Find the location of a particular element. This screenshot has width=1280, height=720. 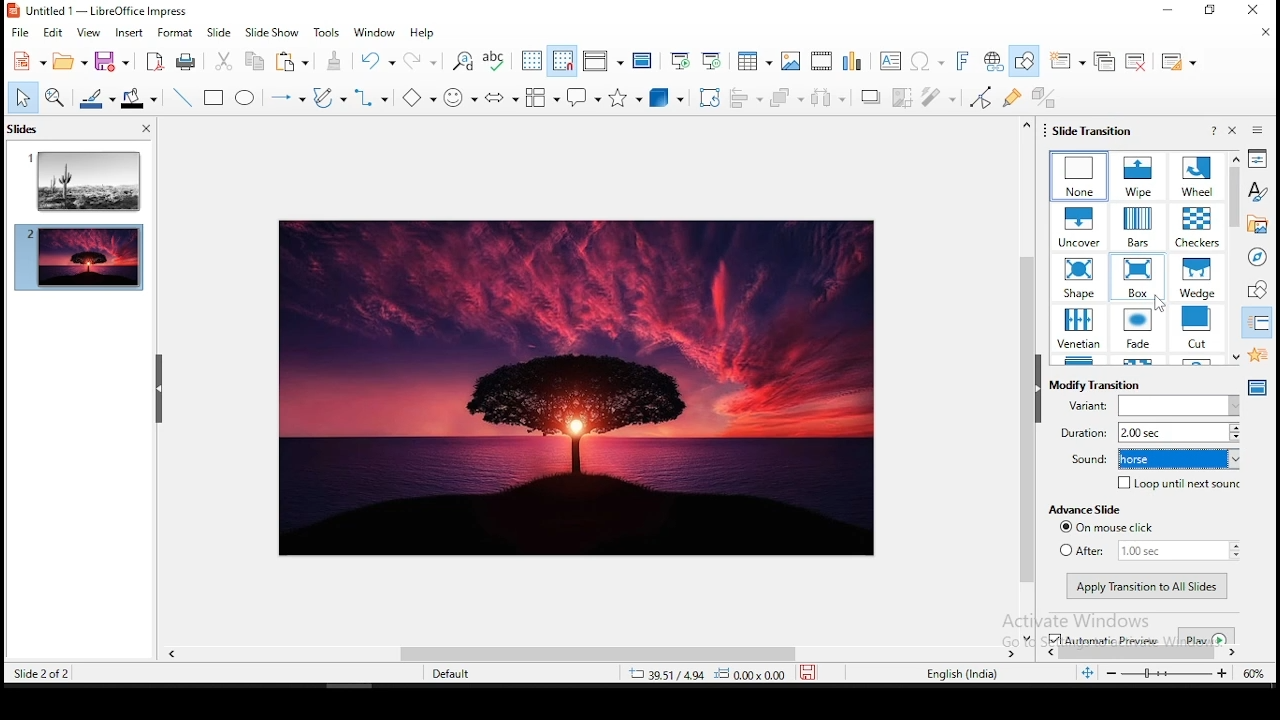

paste is located at coordinates (296, 61).